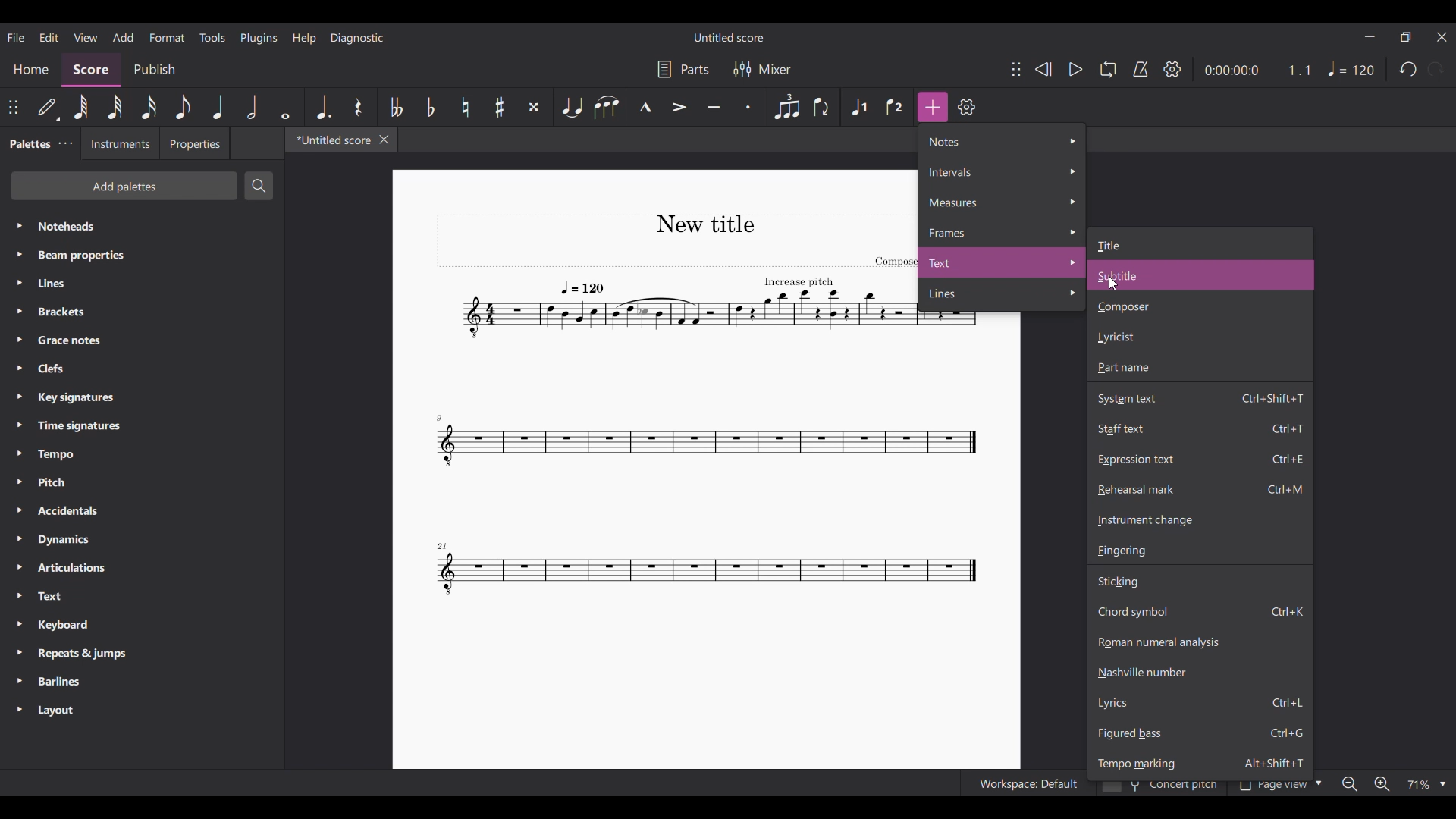  I want to click on 16th note, so click(149, 107).